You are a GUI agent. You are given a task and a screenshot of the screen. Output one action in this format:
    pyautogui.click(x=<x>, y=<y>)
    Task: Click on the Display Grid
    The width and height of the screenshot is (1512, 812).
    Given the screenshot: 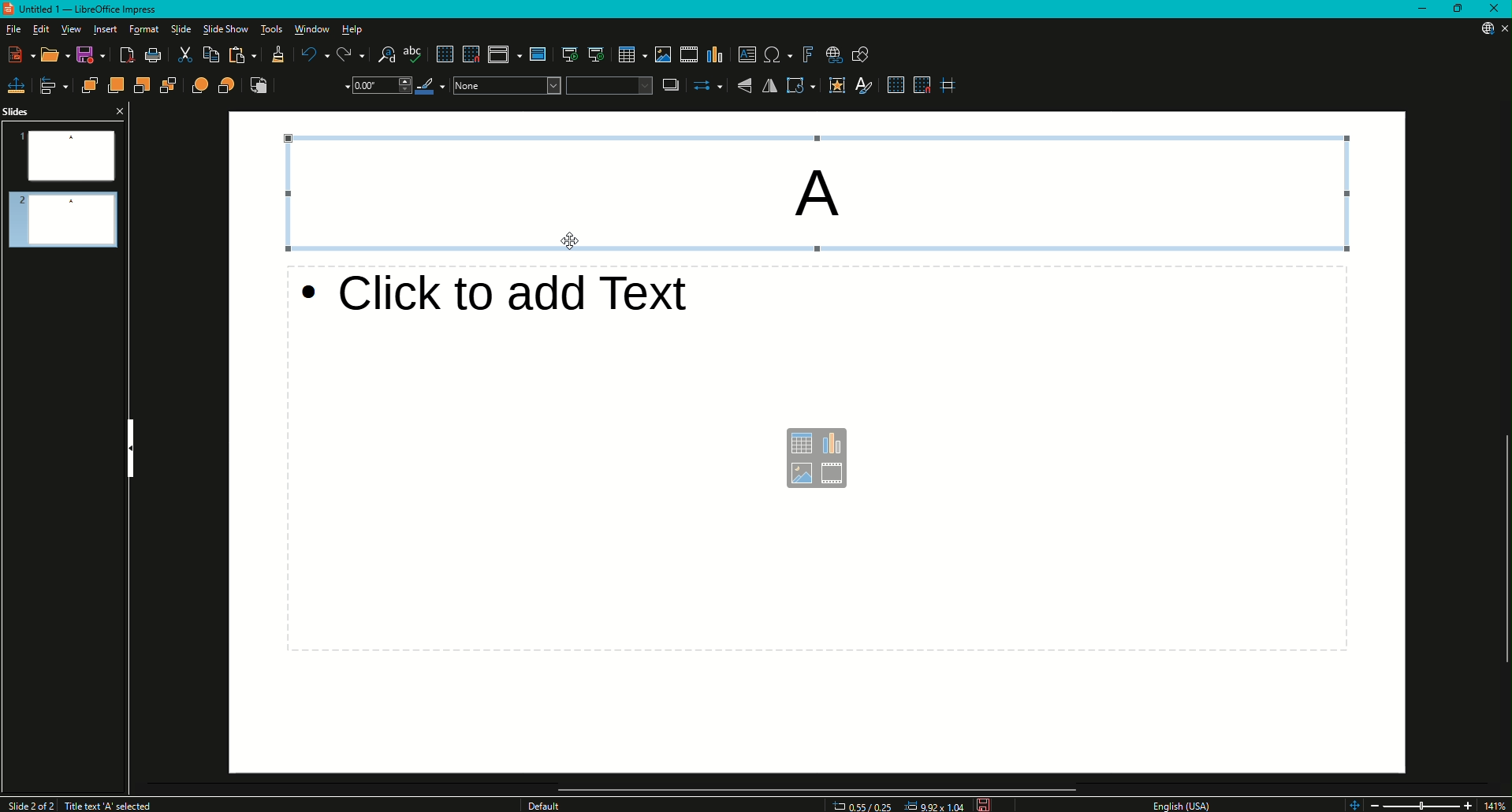 What is the action you would take?
    pyautogui.click(x=893, y=86)
    